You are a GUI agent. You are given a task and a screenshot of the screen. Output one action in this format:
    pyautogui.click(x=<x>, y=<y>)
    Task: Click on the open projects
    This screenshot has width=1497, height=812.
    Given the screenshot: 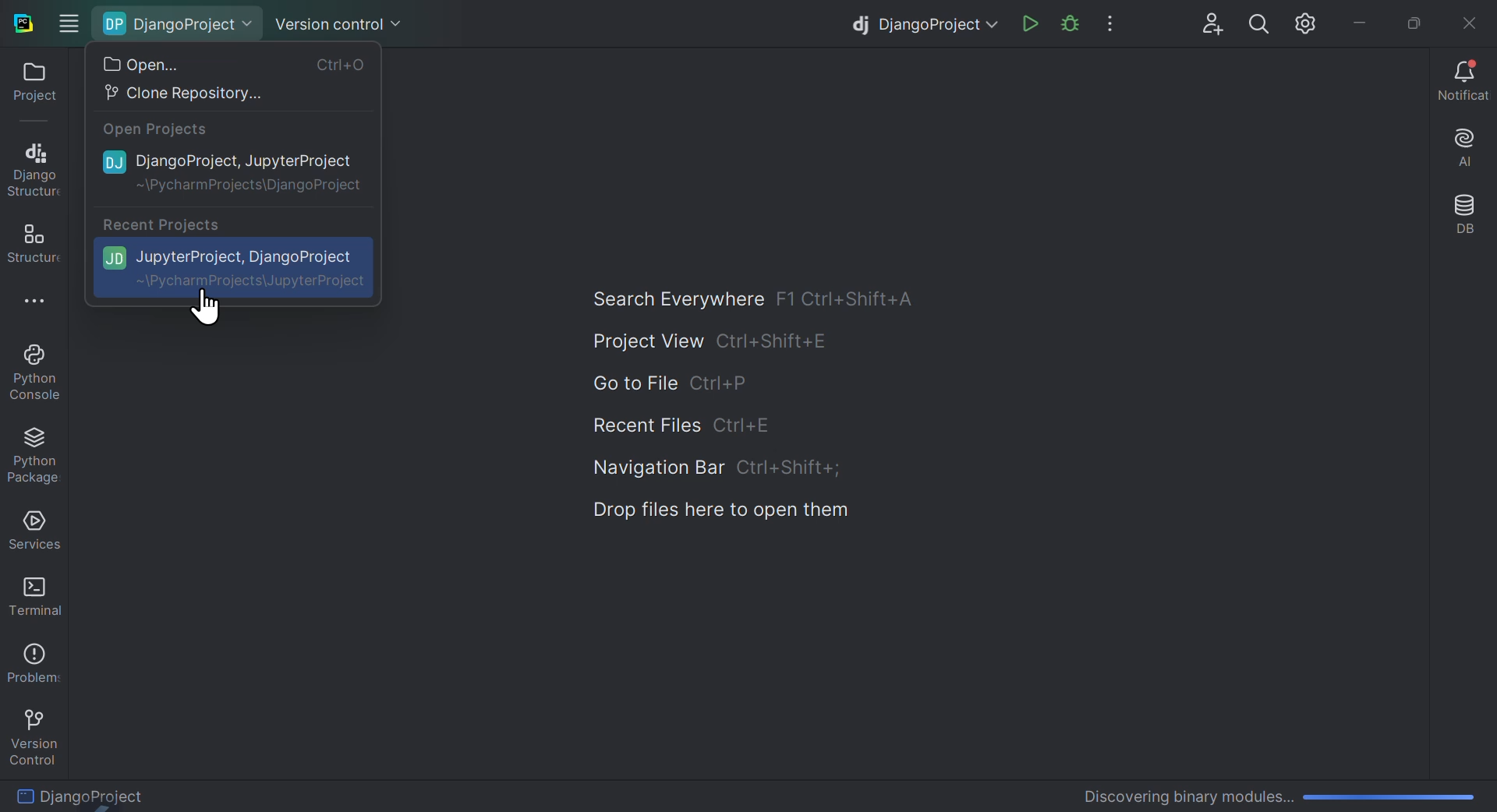 What is the action you would take?
    pyautogui.click(x=205, y=131)
    